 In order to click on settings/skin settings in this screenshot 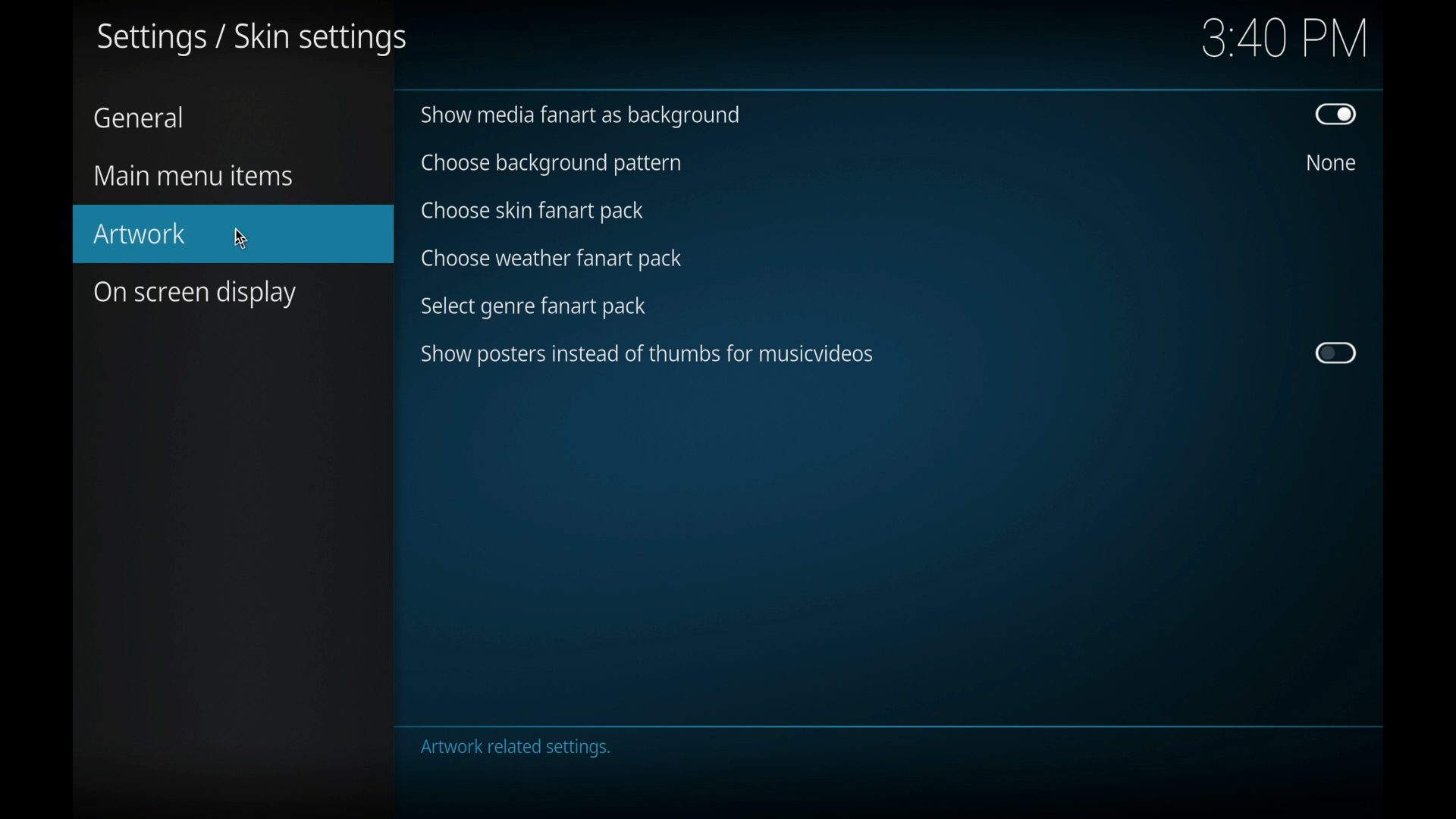, I will do `click(252, 40)`.